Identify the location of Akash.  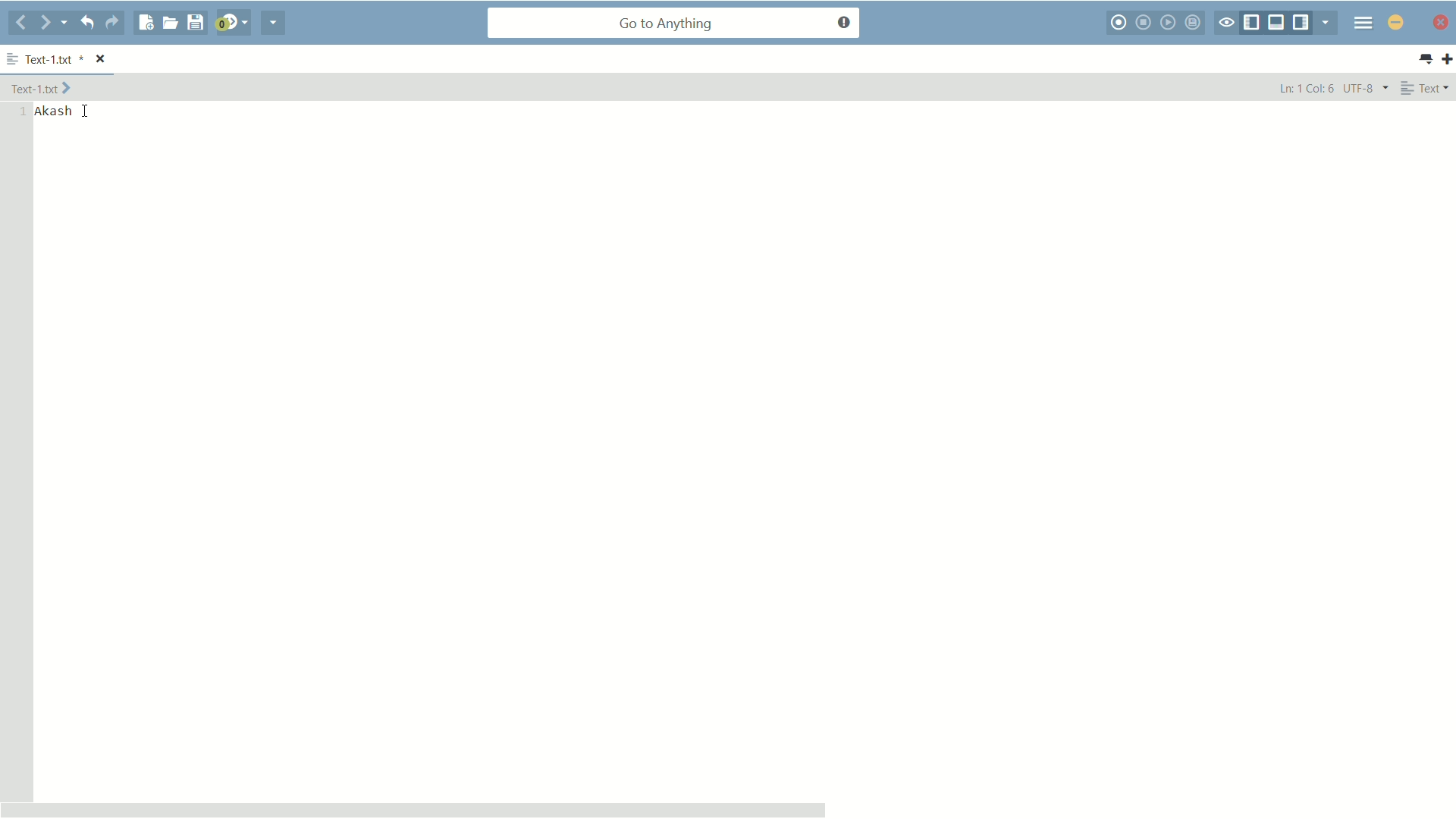
(54, 111).